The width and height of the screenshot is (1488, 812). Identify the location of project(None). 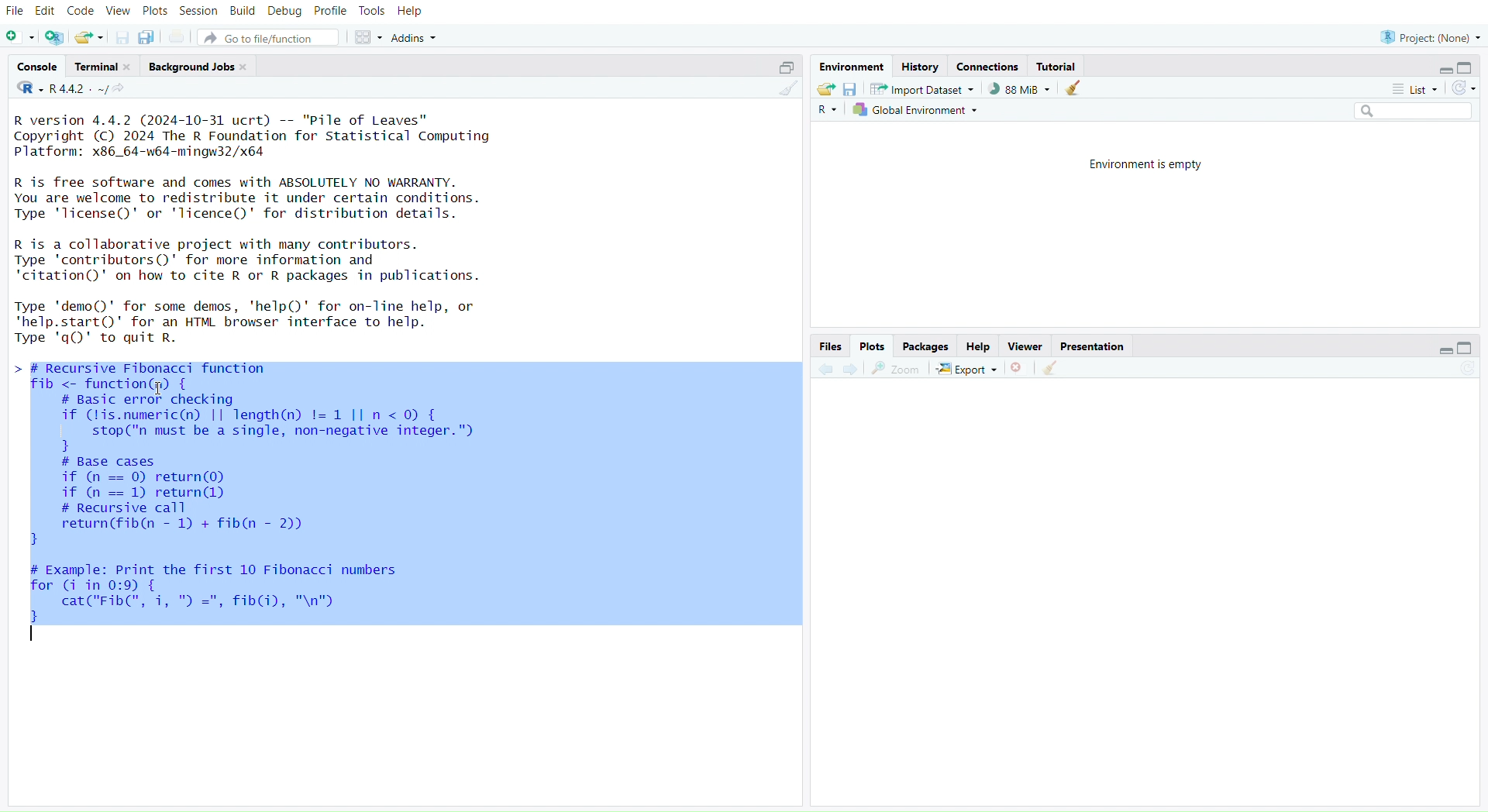
(1428, 38).